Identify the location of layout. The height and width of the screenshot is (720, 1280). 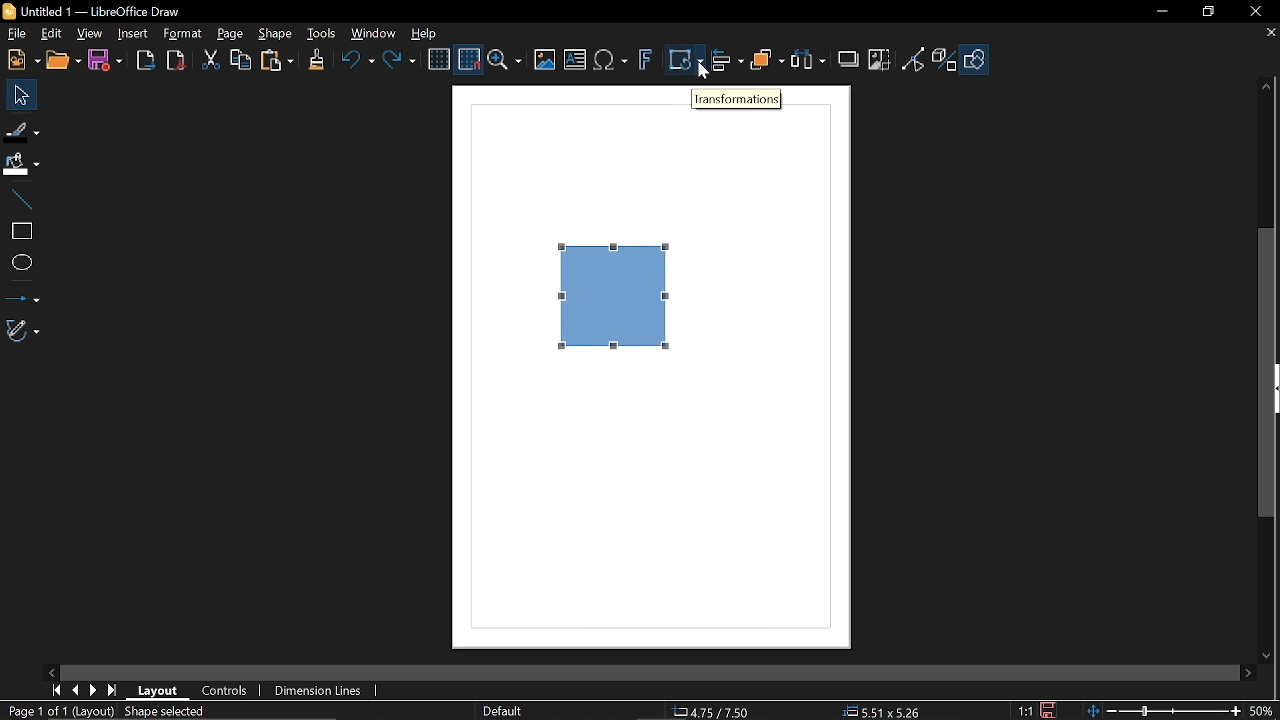
(158, 692).